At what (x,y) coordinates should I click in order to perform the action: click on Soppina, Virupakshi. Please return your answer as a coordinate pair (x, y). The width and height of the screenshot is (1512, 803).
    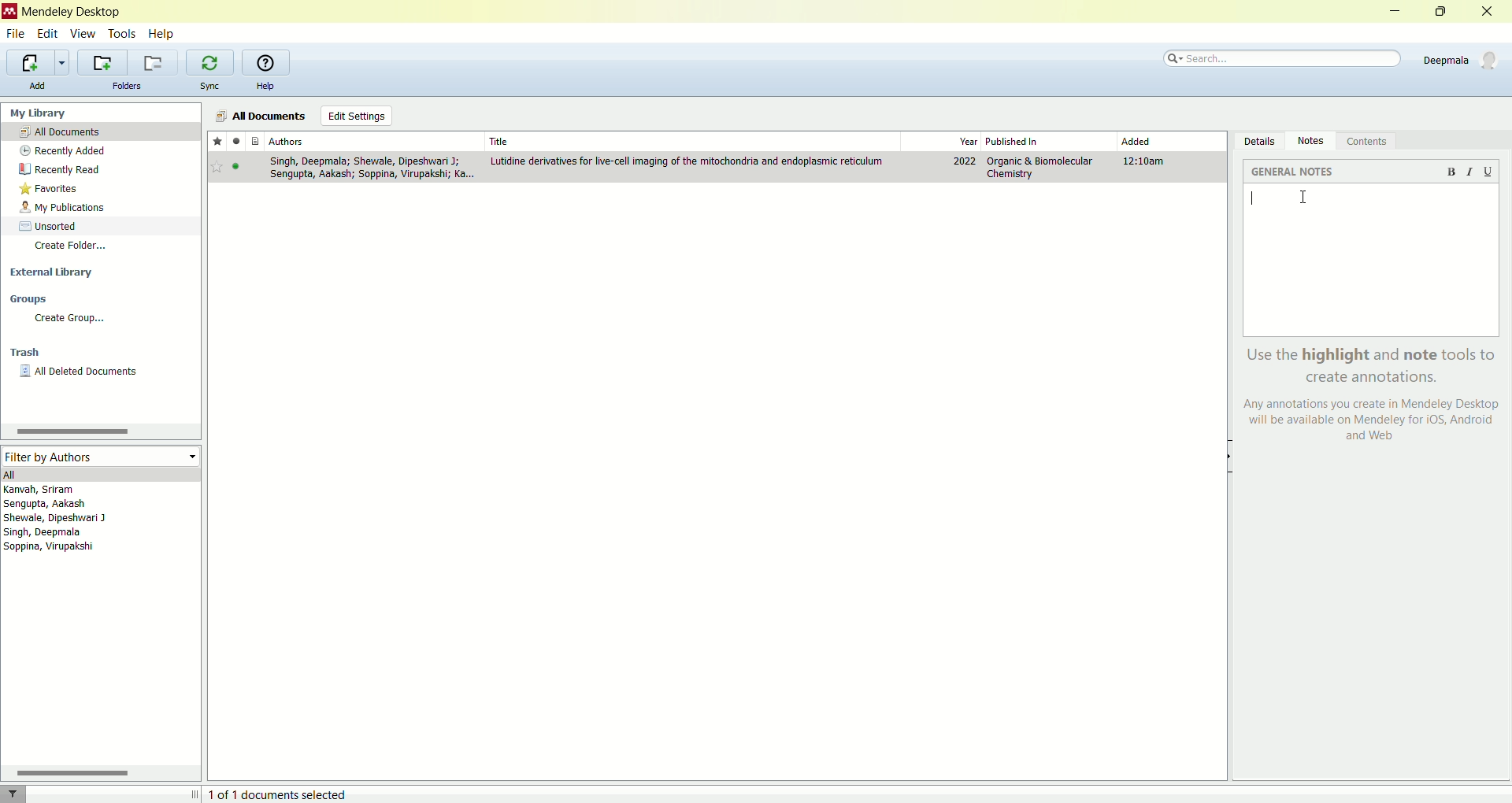
    Looking at the image, I should click on (49, 549).